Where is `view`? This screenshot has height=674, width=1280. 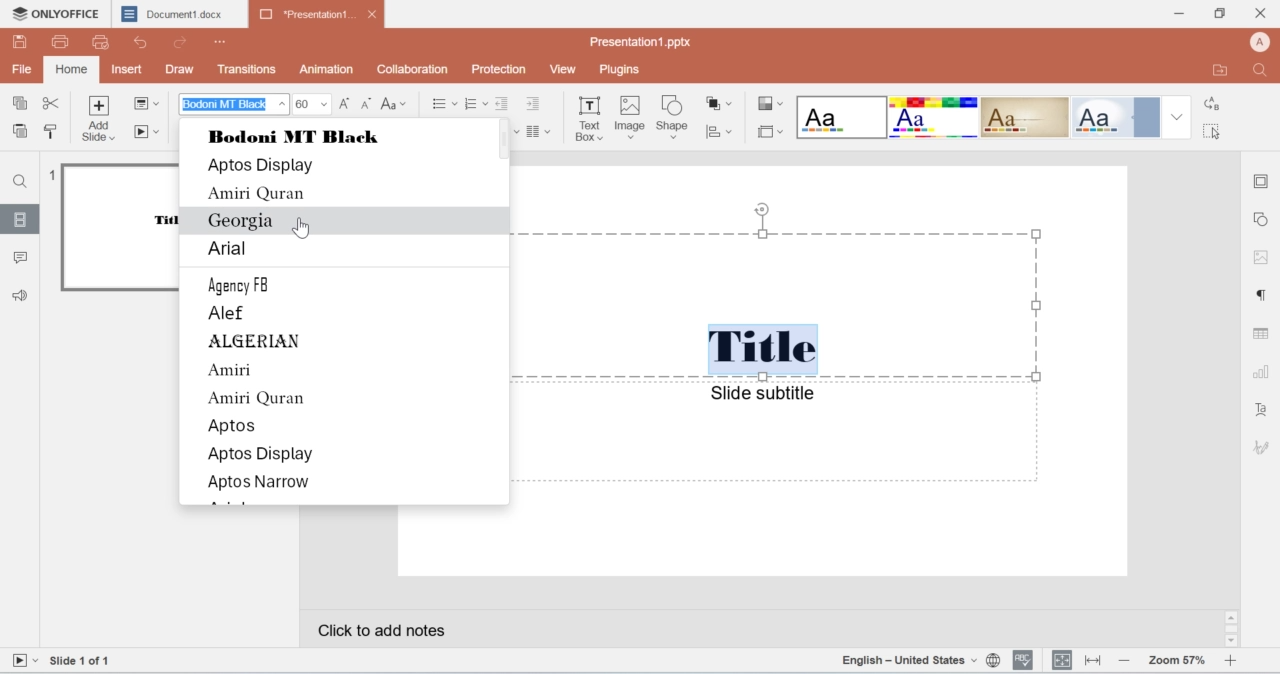
view is located at coordinates (566, 69).